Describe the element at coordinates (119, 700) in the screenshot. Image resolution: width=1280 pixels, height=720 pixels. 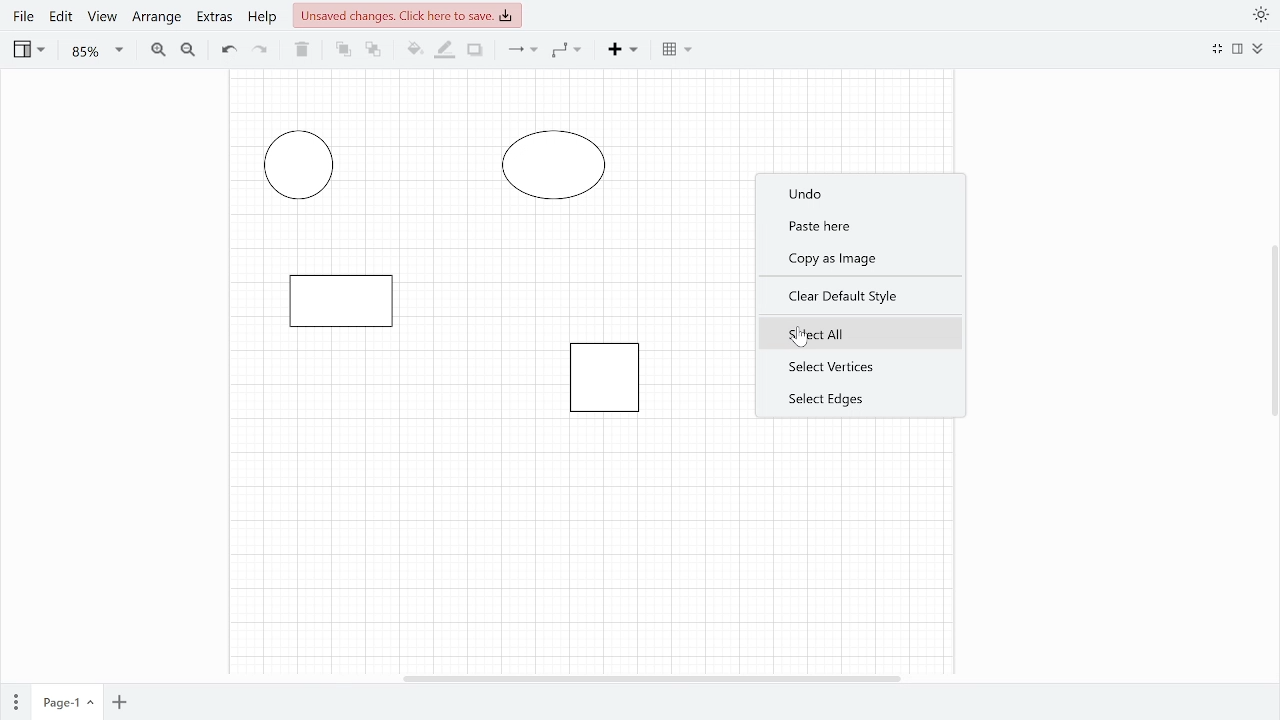
I see `Add page` at that location.